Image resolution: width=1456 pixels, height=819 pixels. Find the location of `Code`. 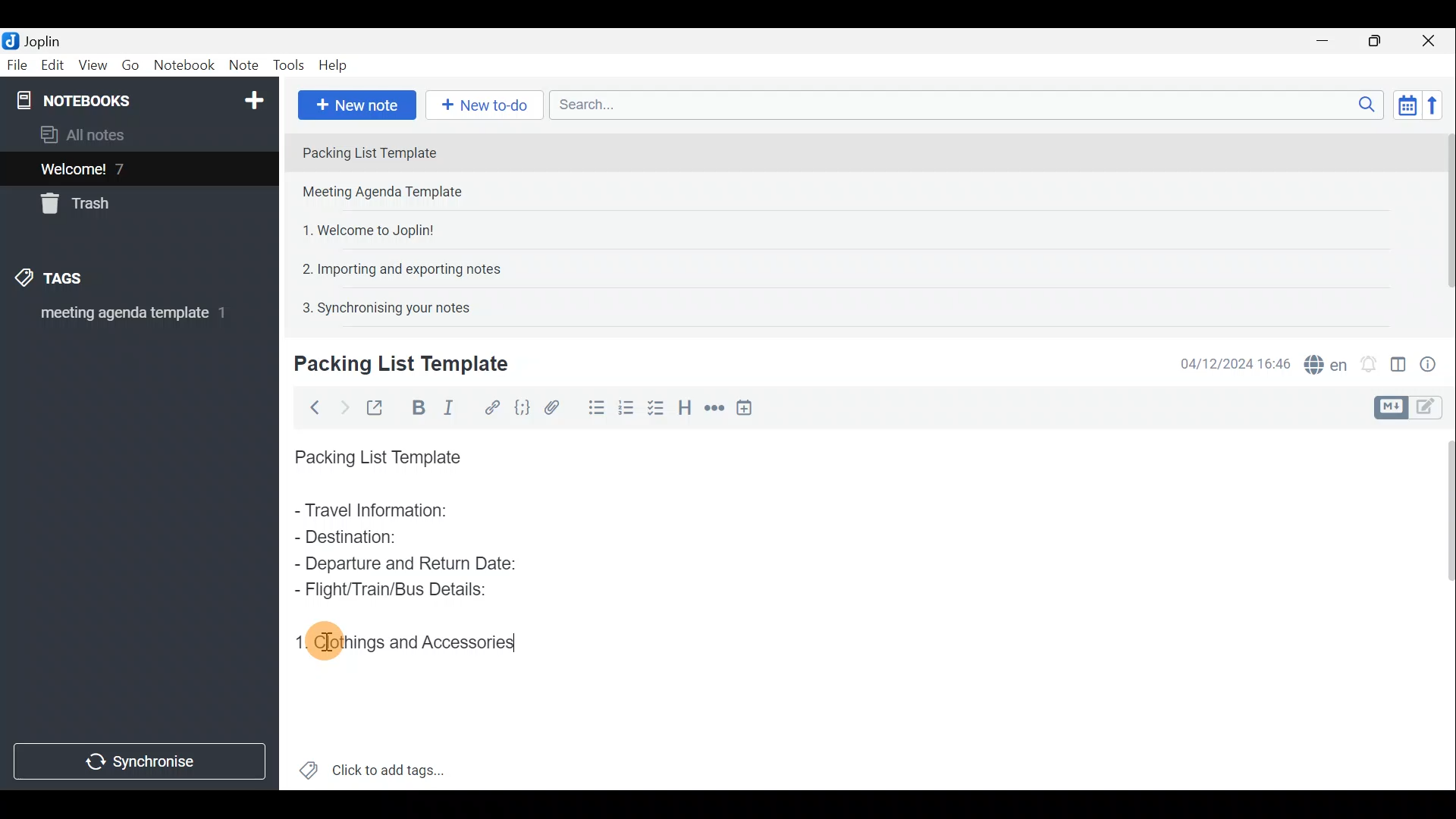

Code is located at coordinates (522, 406).